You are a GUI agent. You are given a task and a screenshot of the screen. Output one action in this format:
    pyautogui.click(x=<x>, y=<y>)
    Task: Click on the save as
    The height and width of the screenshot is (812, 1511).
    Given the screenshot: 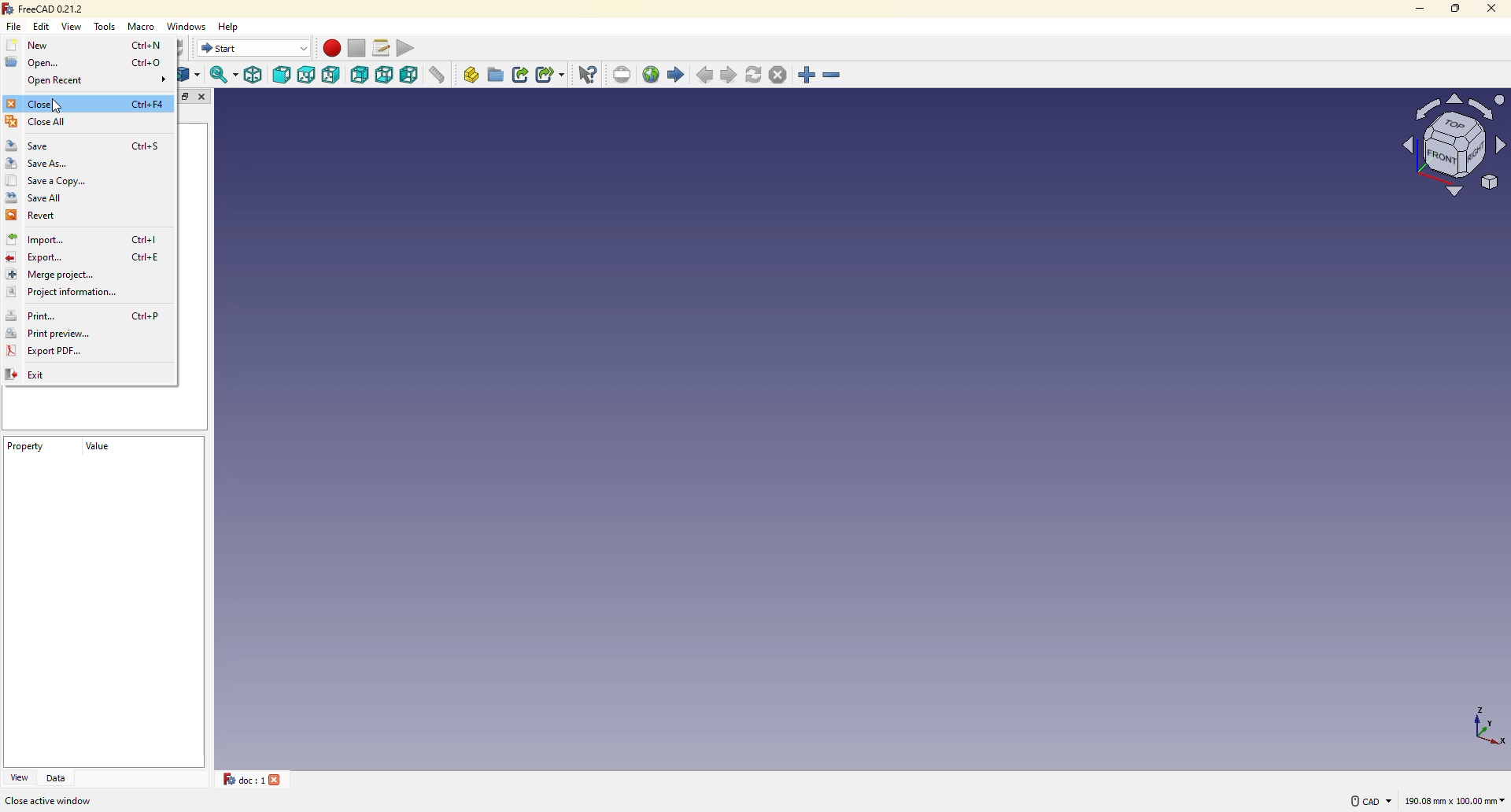 What is the action you would take?
    pyautogui.click(x=39, y=164)
    